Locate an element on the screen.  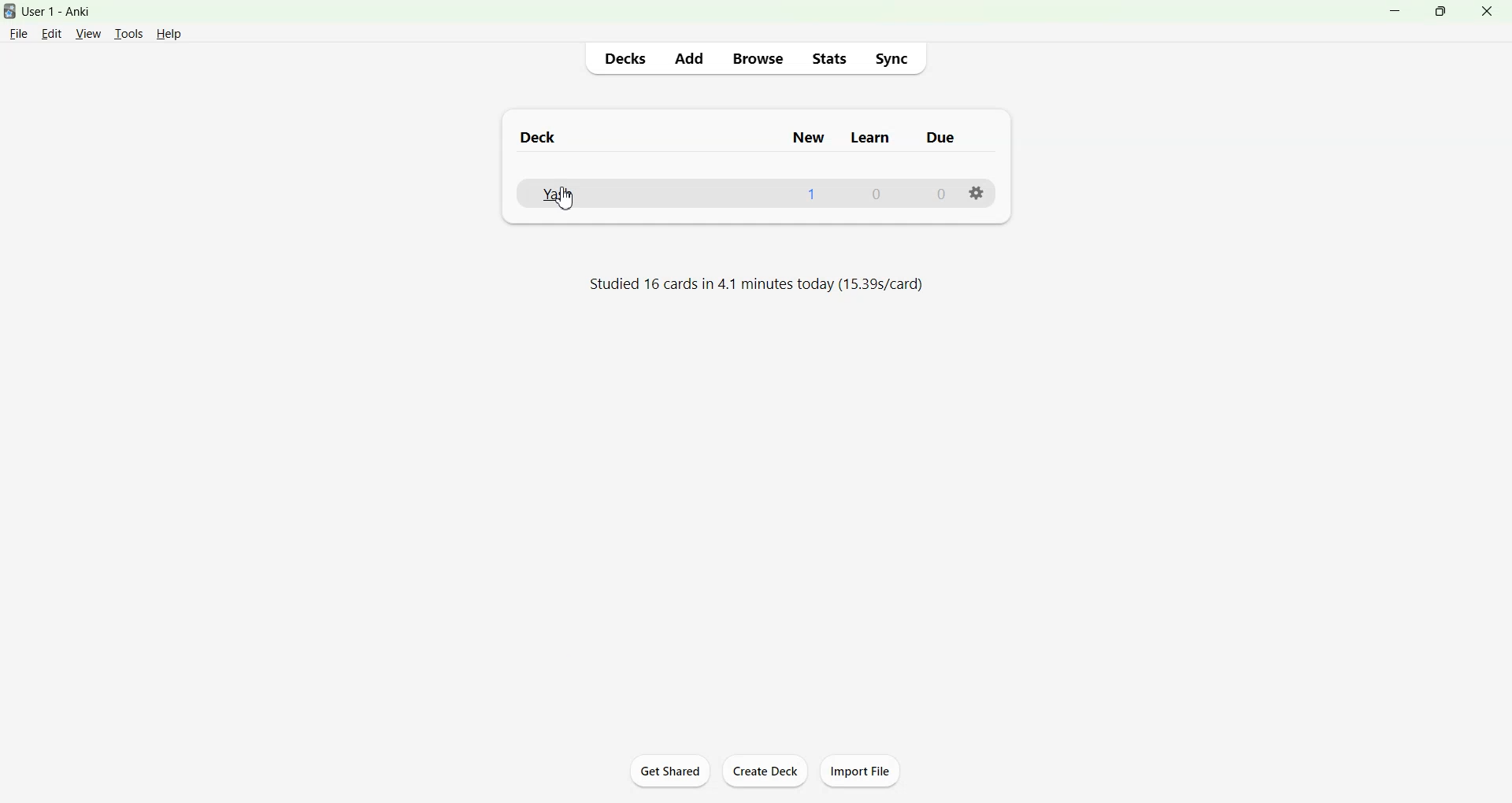
New is located at coordinates (809, 139).